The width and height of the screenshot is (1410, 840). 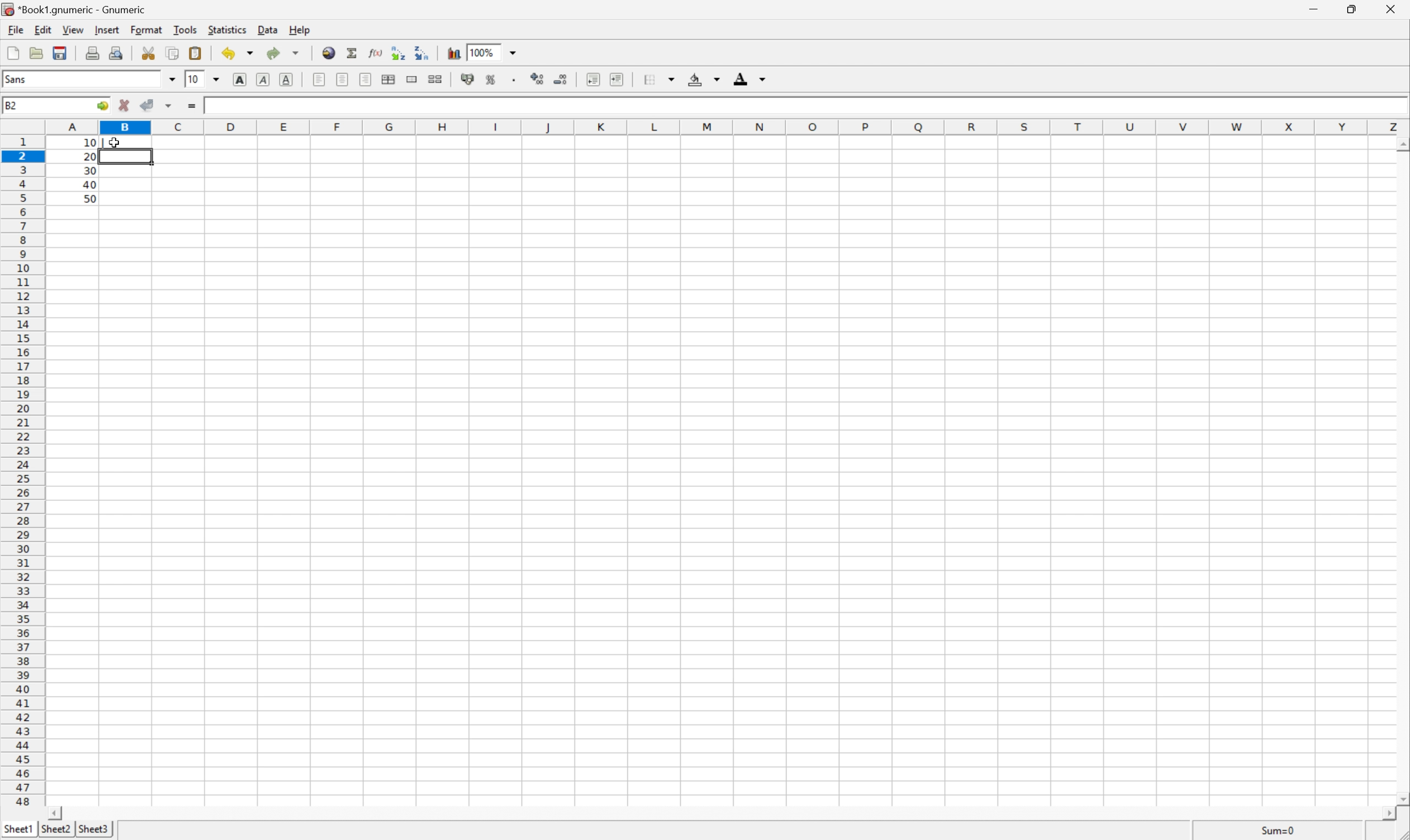 I want to click on Drop Down, so click(x=514, y=51).